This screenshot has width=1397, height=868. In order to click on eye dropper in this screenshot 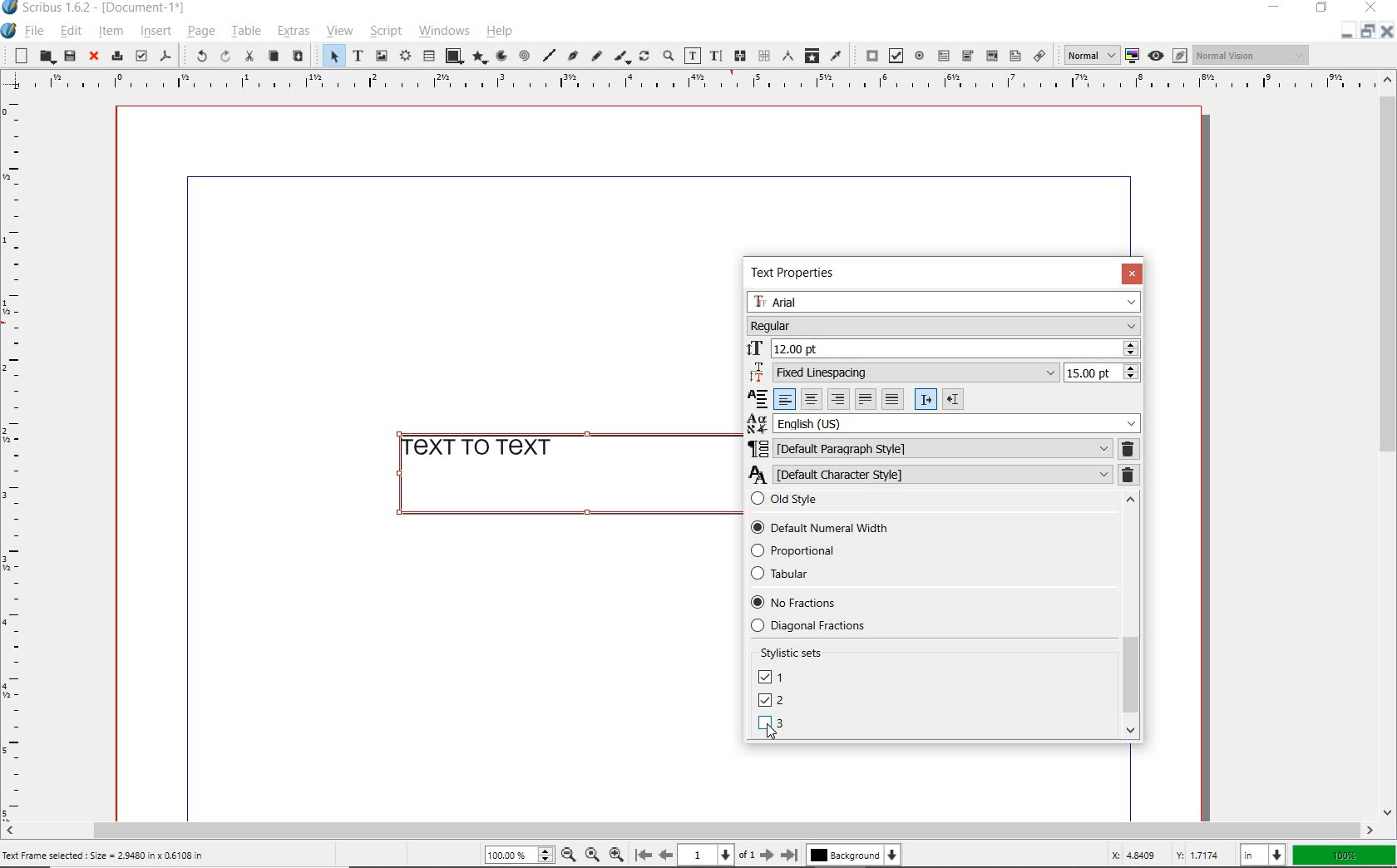, I will do `click(837, 55)`.